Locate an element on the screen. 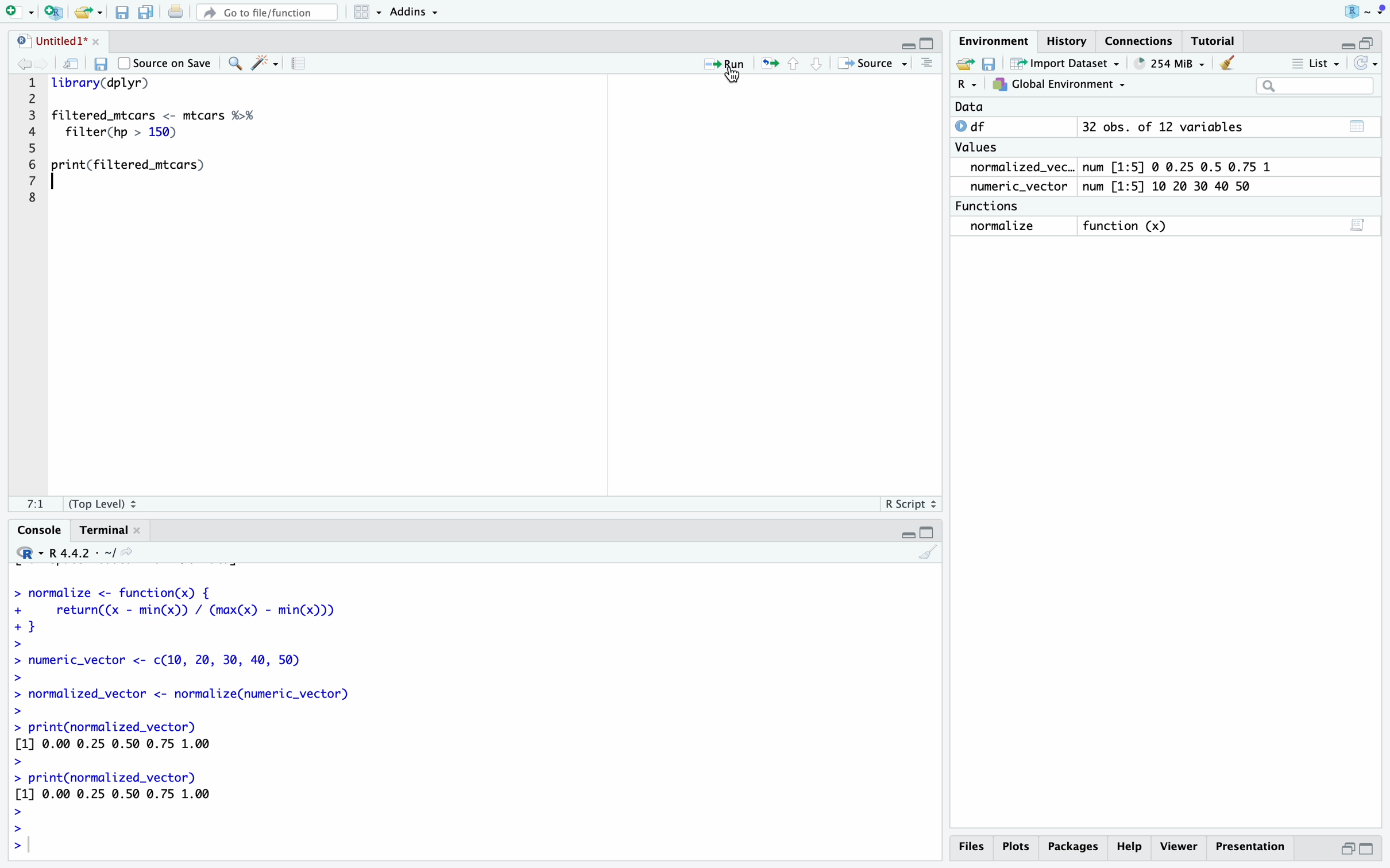  Presentation is located at coordinates (1252, 847).